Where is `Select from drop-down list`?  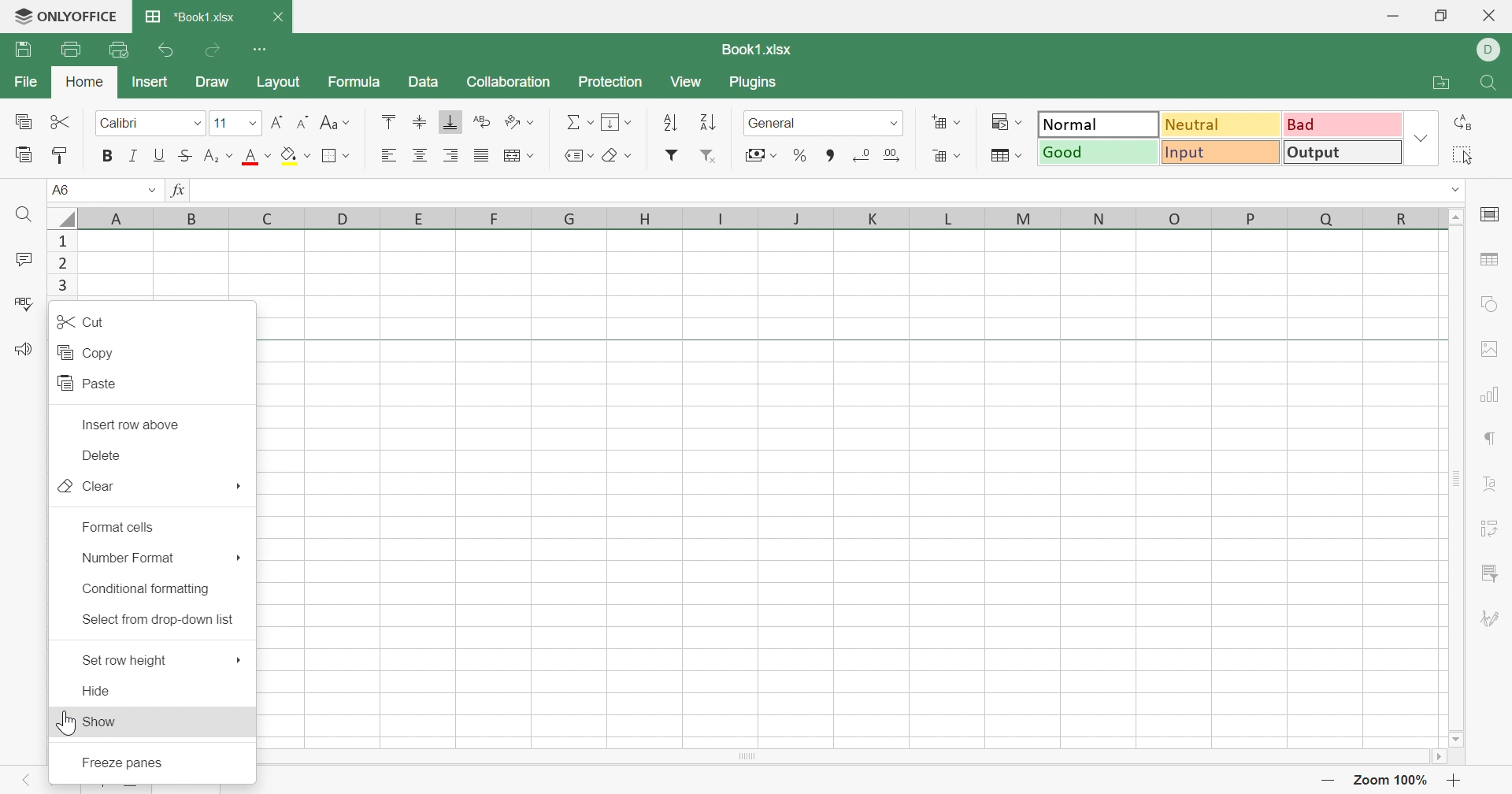
Select from drop-down list is located at coordinates (157, 625).